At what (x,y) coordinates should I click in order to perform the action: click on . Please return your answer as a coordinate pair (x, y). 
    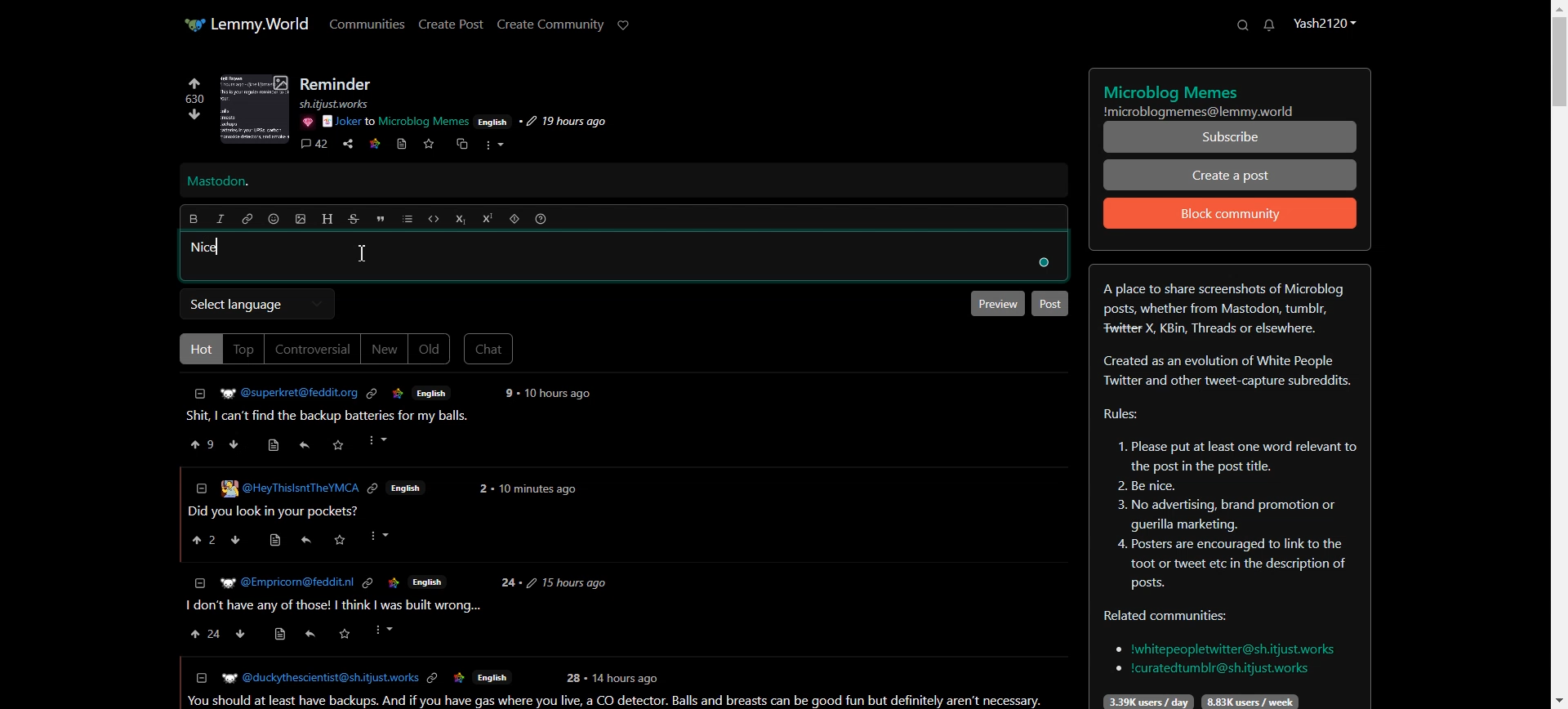
    Looking at the image, I should click on (493, 121).